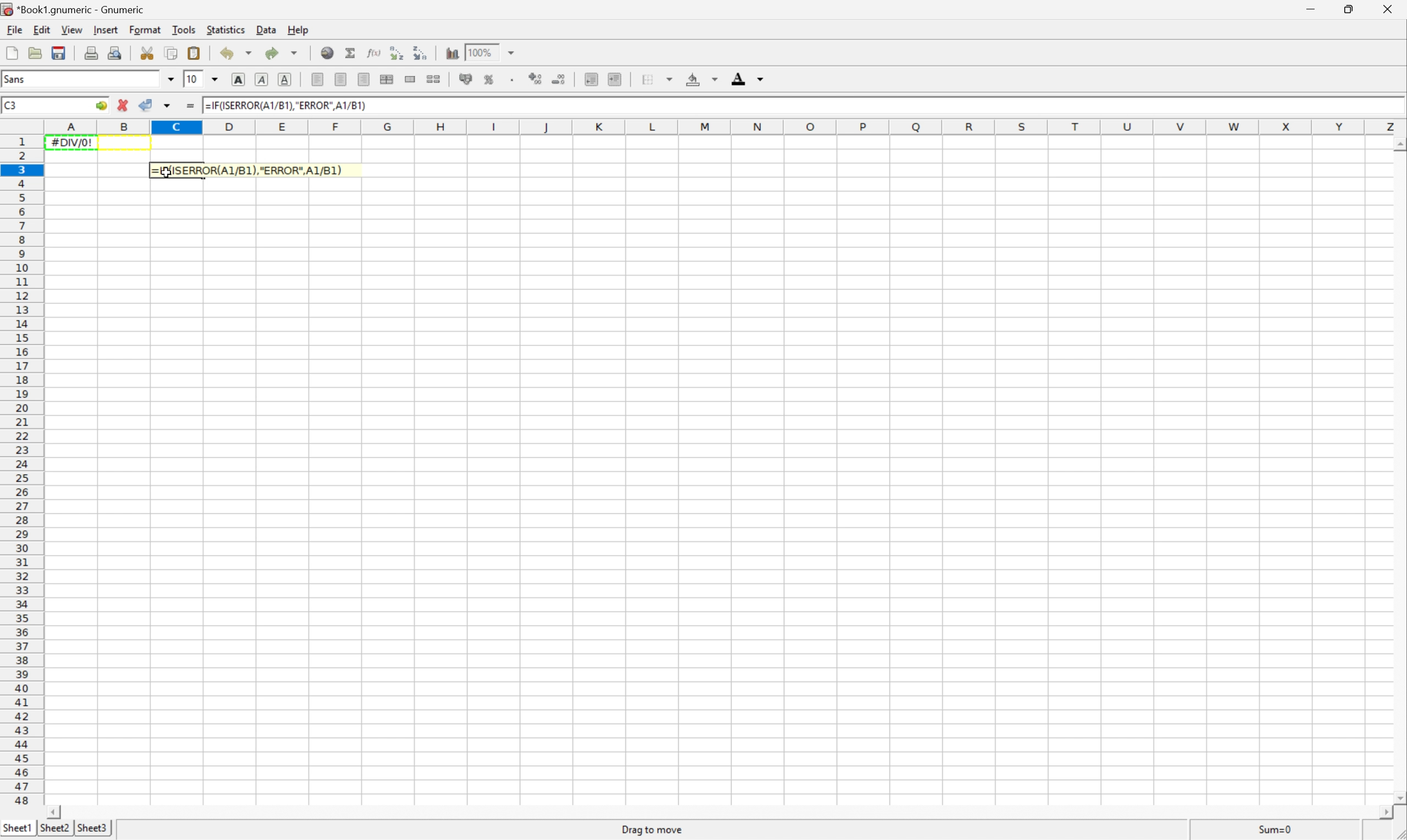 Image resolution: width=1407 pixels, height=840 pixels. What do you see at coordinates (272, 54) in the screenshot?
I see `Redo` at bounding box center [272, 54].